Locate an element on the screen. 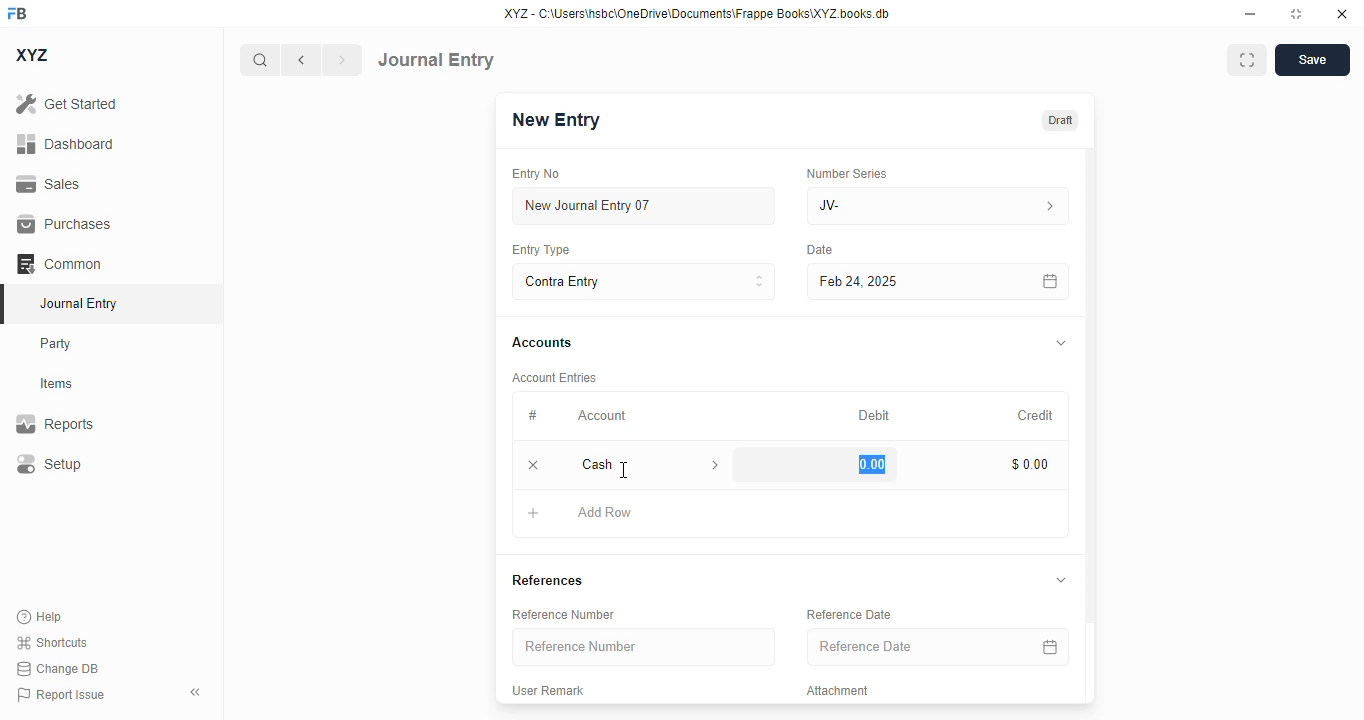 This screenshot has width=1364, height=720. $0.00 is located at coordinates (1032, 464).